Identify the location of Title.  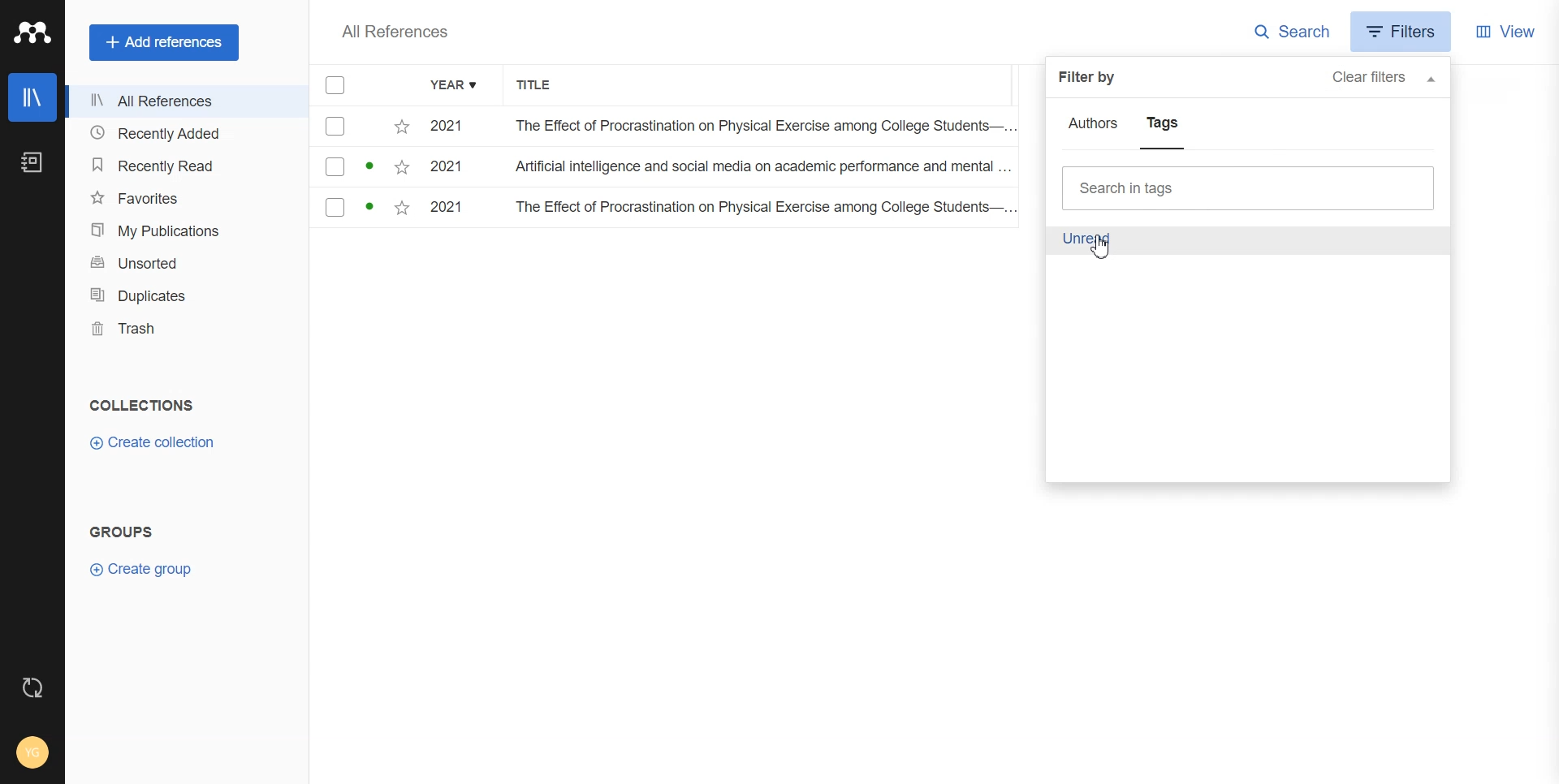
(543, 86).